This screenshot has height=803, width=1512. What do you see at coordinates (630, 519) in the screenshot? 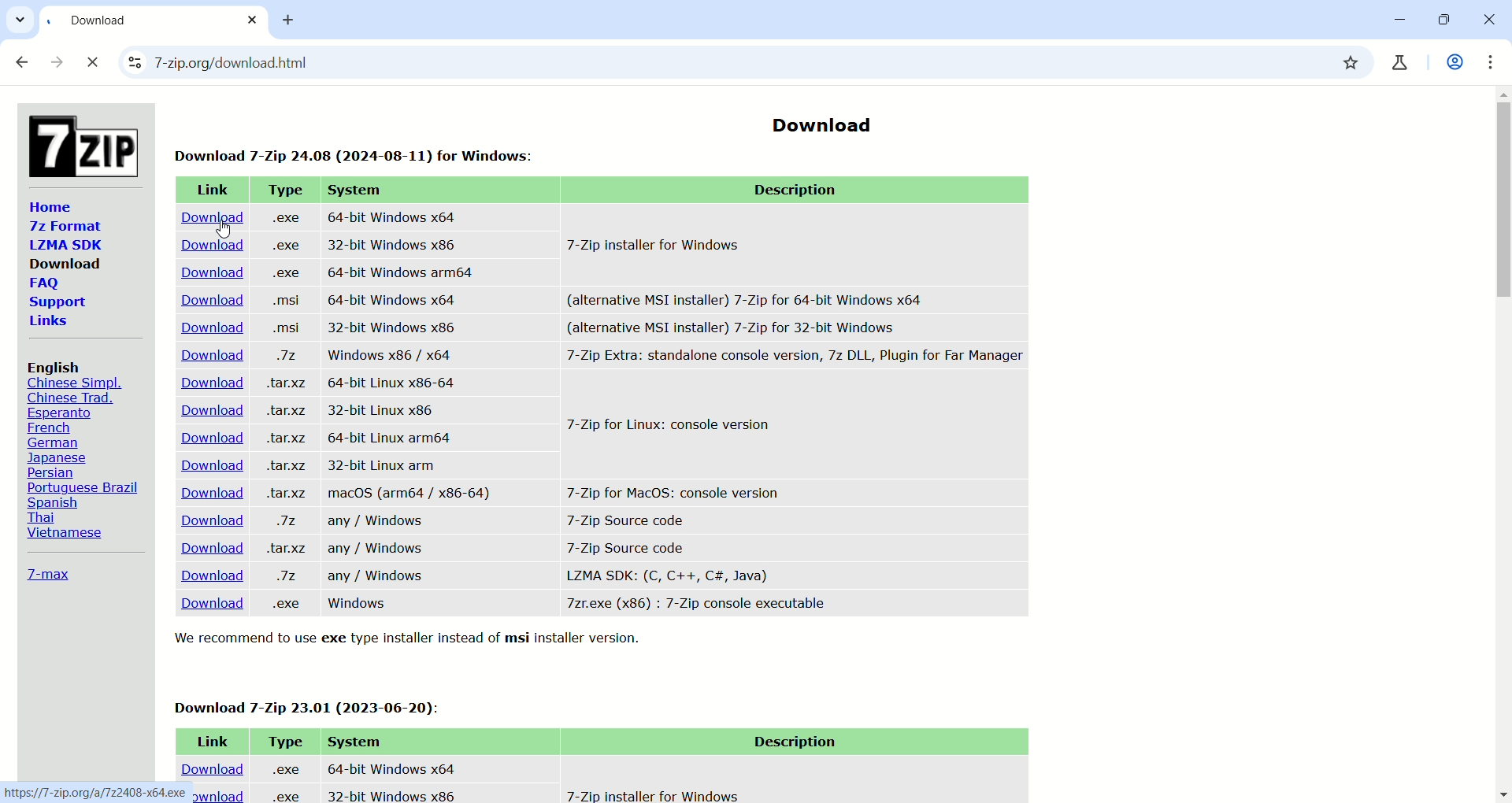
I see `7-Zip Source code` at bounding box center [630, 519].